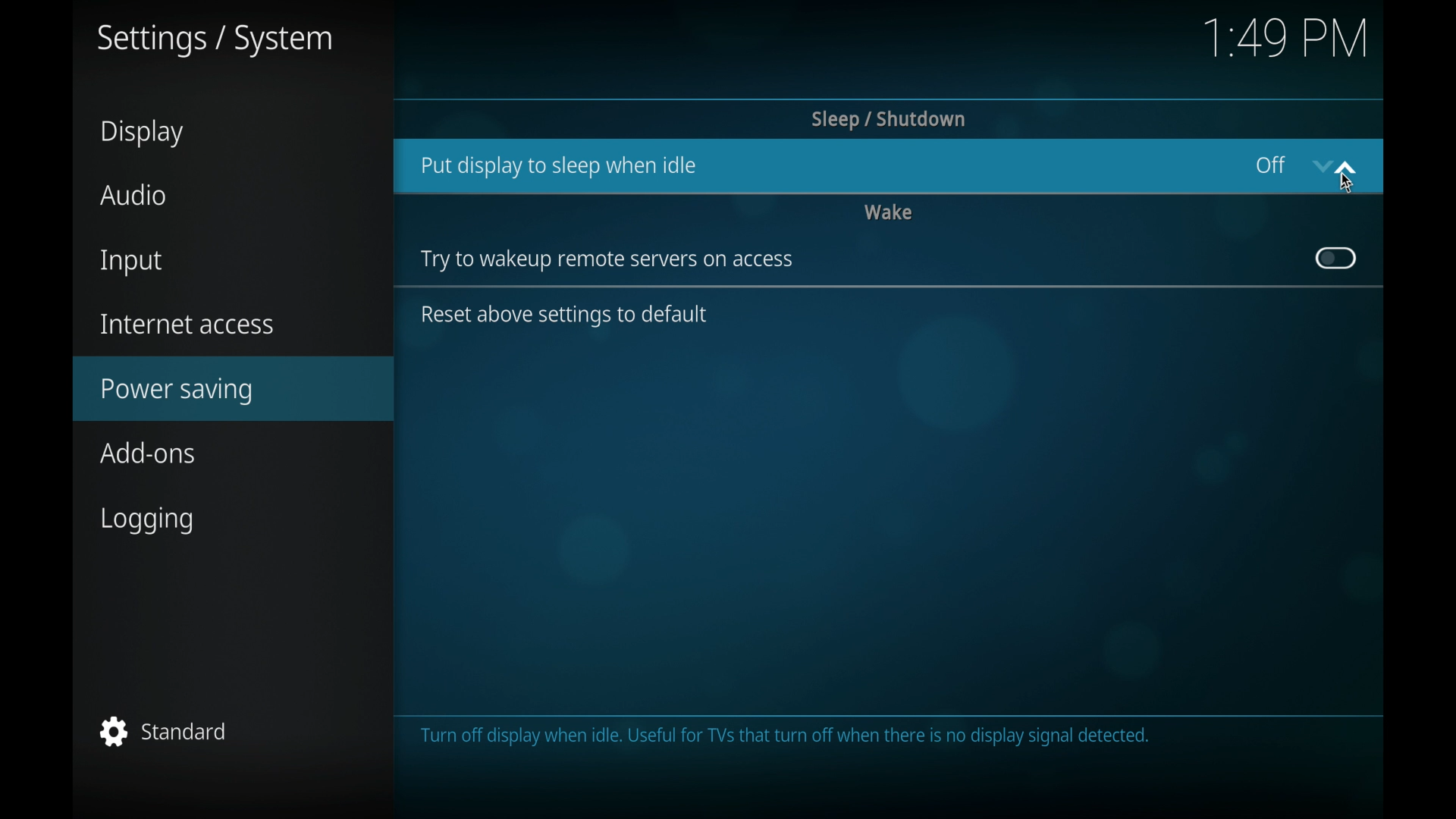 The image size is (1456, 819). Describe the element at coordinates (141, 133) in the screenshot. I see `display` at that location.